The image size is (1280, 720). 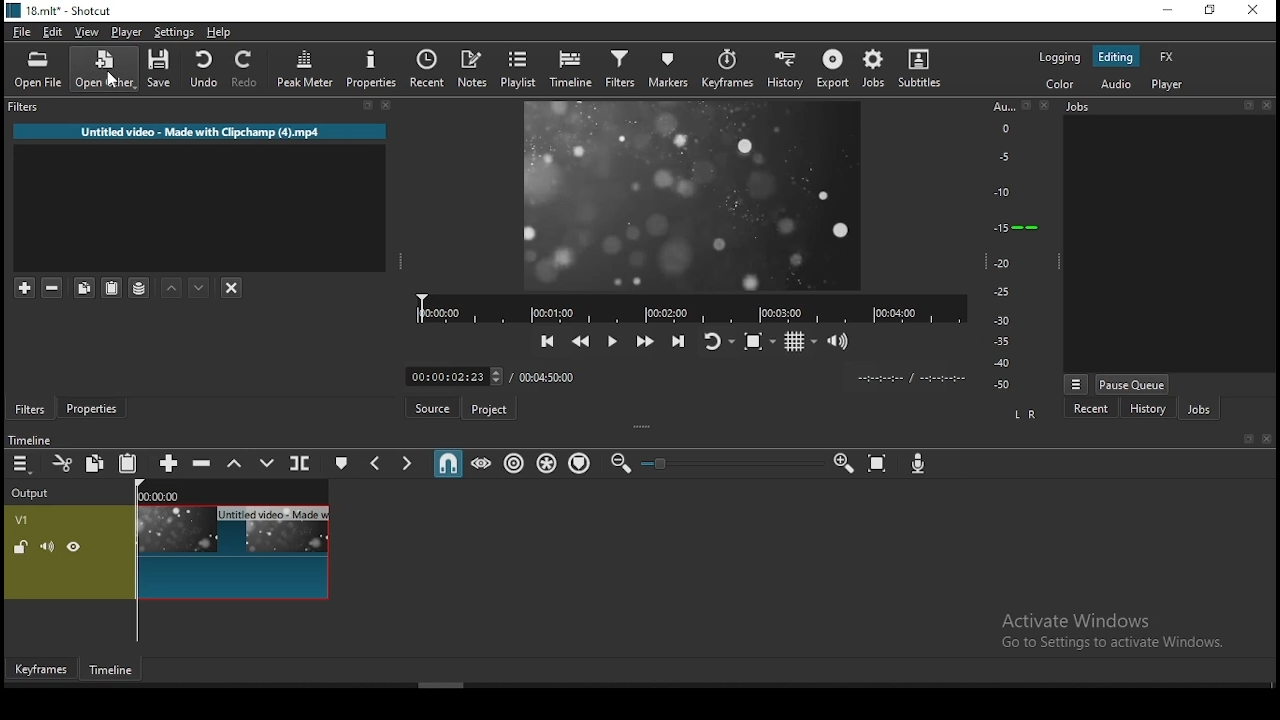 I want to click on play quickly backward, so click(x=581, y=341).